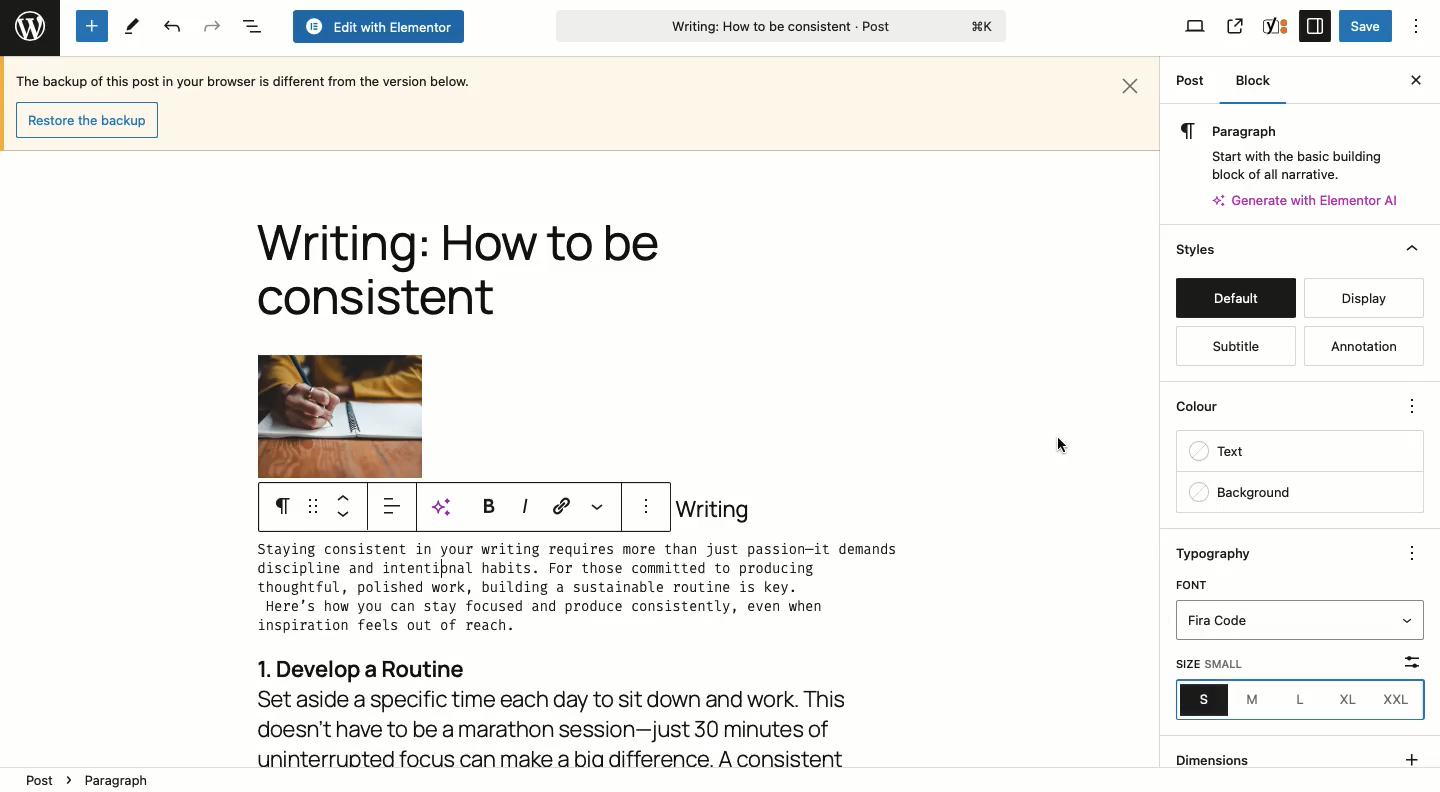 The image size is (1440, 792). Describe the element at coordinates (1196, 28) in the screenshot. I see `View` at that location.